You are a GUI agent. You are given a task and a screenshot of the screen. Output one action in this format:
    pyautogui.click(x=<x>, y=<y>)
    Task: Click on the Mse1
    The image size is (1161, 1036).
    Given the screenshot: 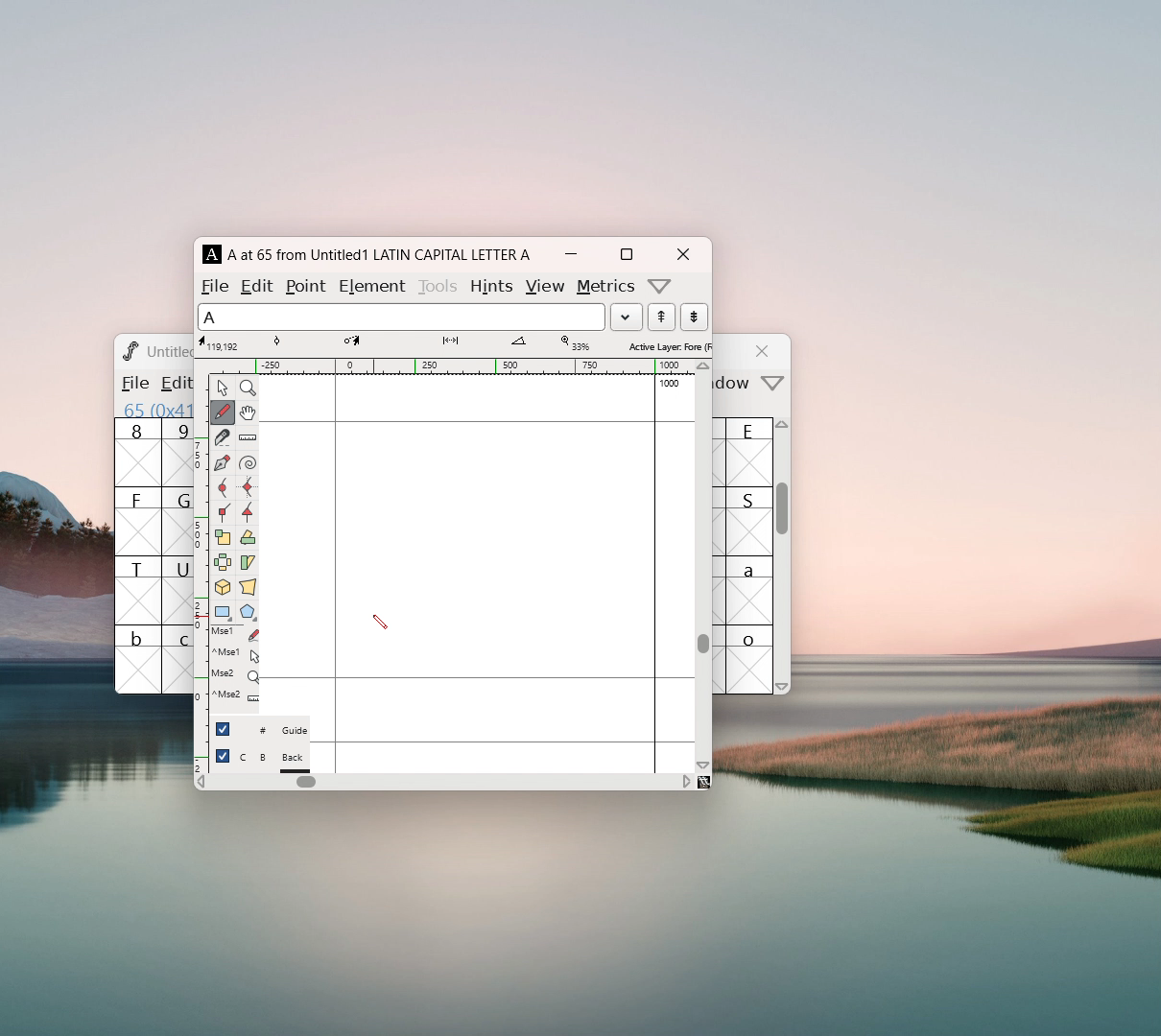 What is the action you would take?
    pyautogui.click(x=237, y=634)
    